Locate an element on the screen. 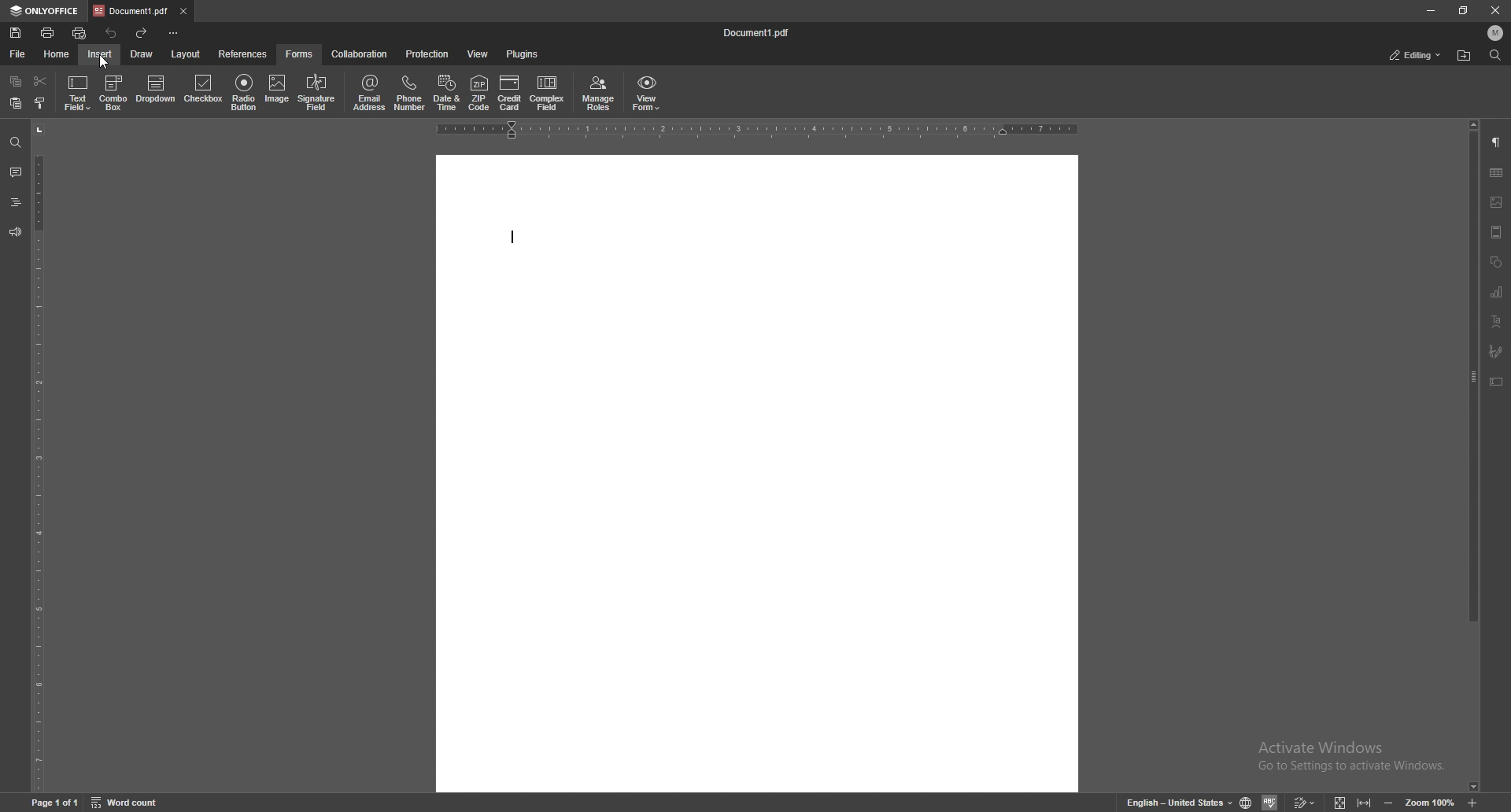 The width and height of the screenshot is (1511, 812). dropdown is located at coordinates (155, 92).